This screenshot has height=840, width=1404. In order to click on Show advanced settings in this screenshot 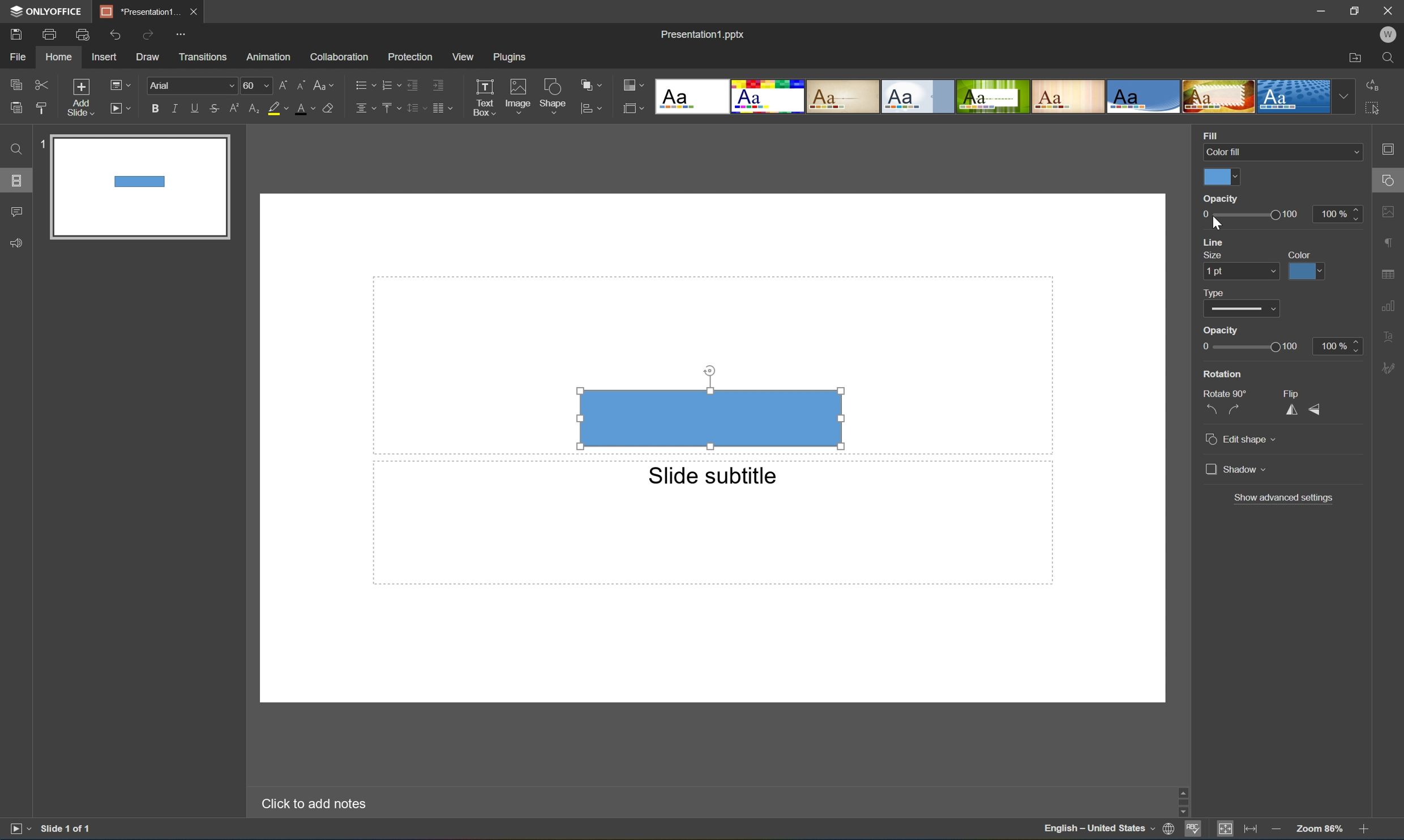, I will do `click(1286, 498)`.